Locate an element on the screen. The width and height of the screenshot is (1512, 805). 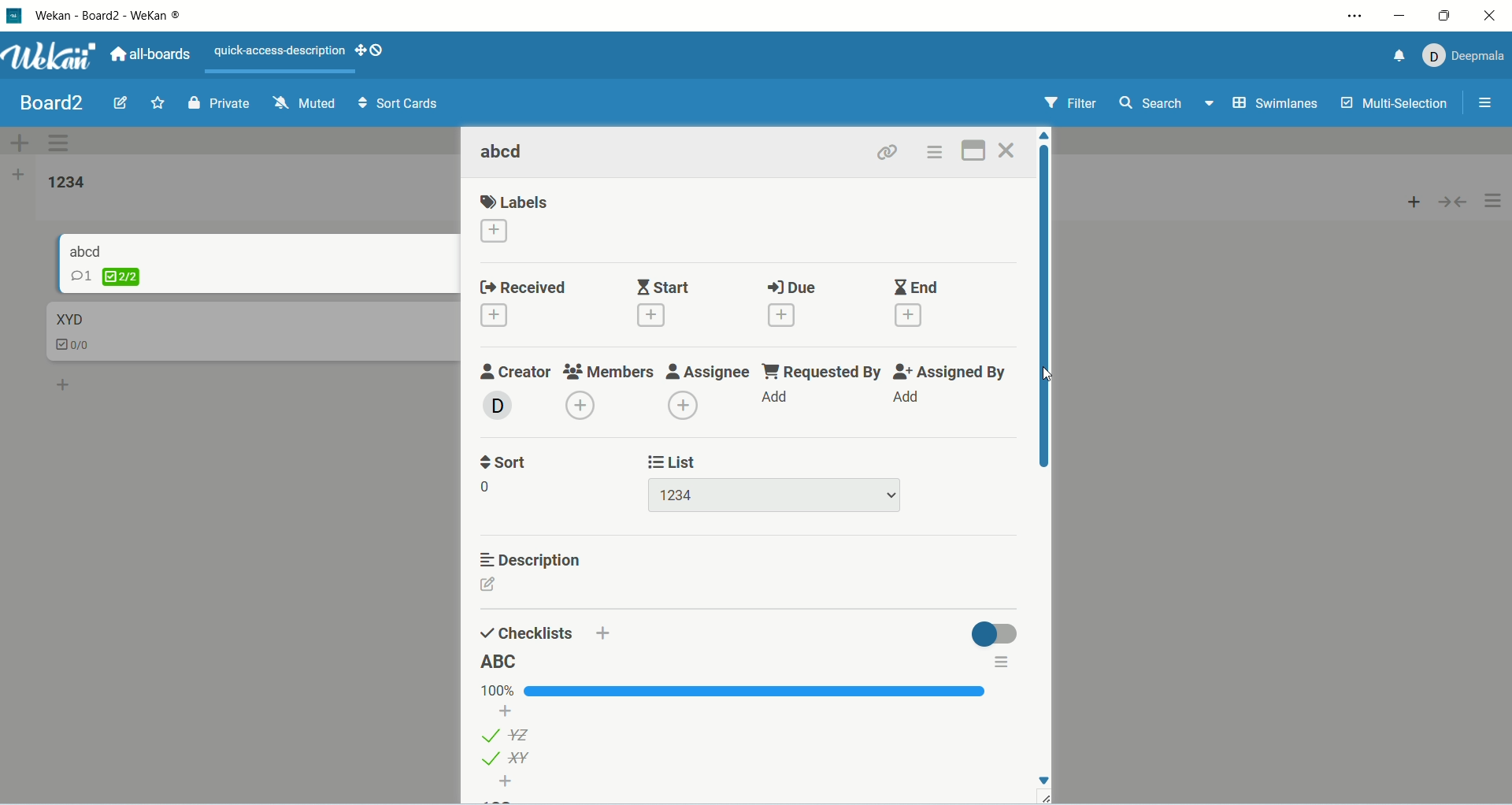
cursor is located at coordinates (1048, 375).